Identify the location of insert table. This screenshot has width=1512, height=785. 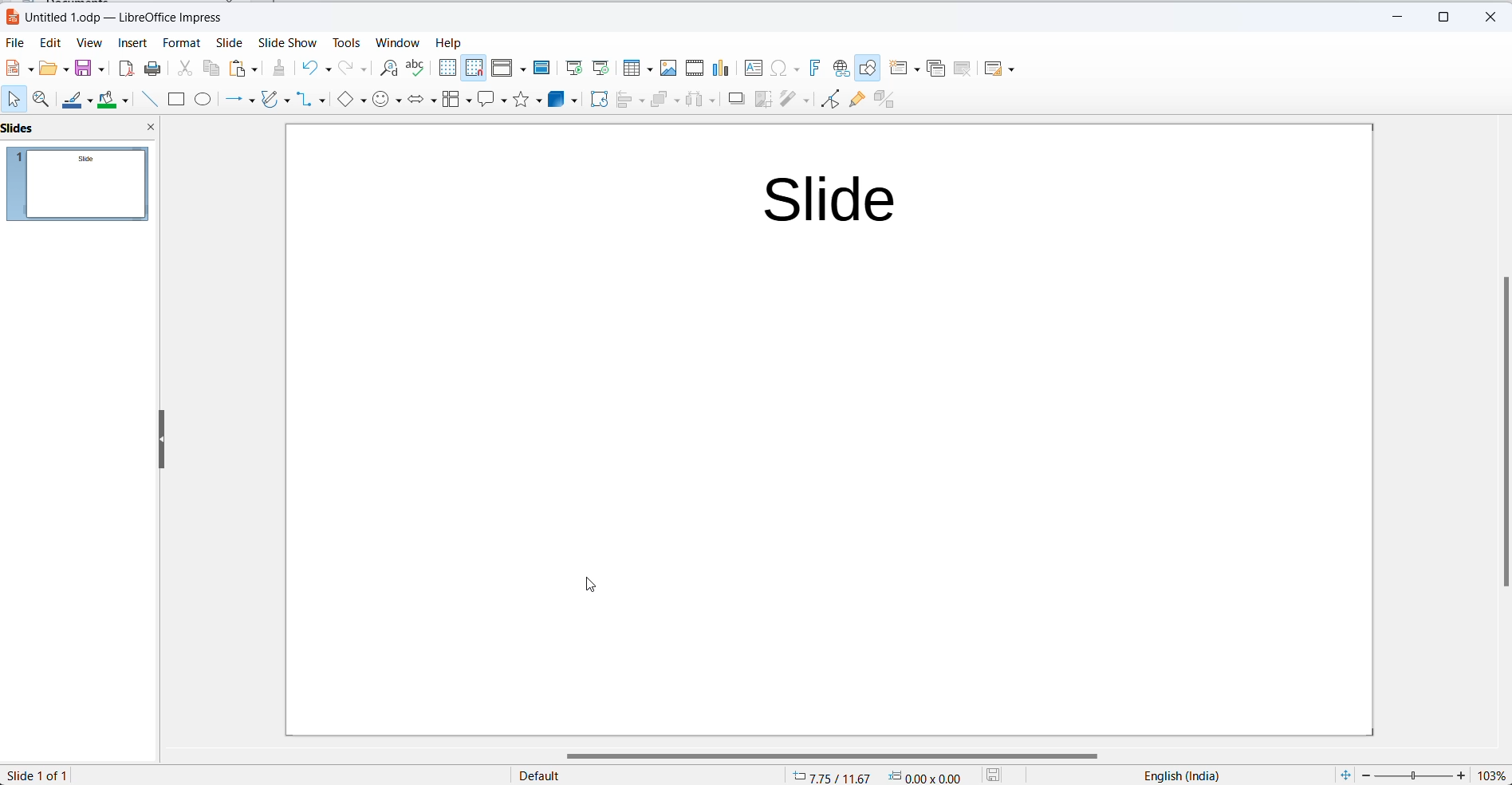
(636, 69).